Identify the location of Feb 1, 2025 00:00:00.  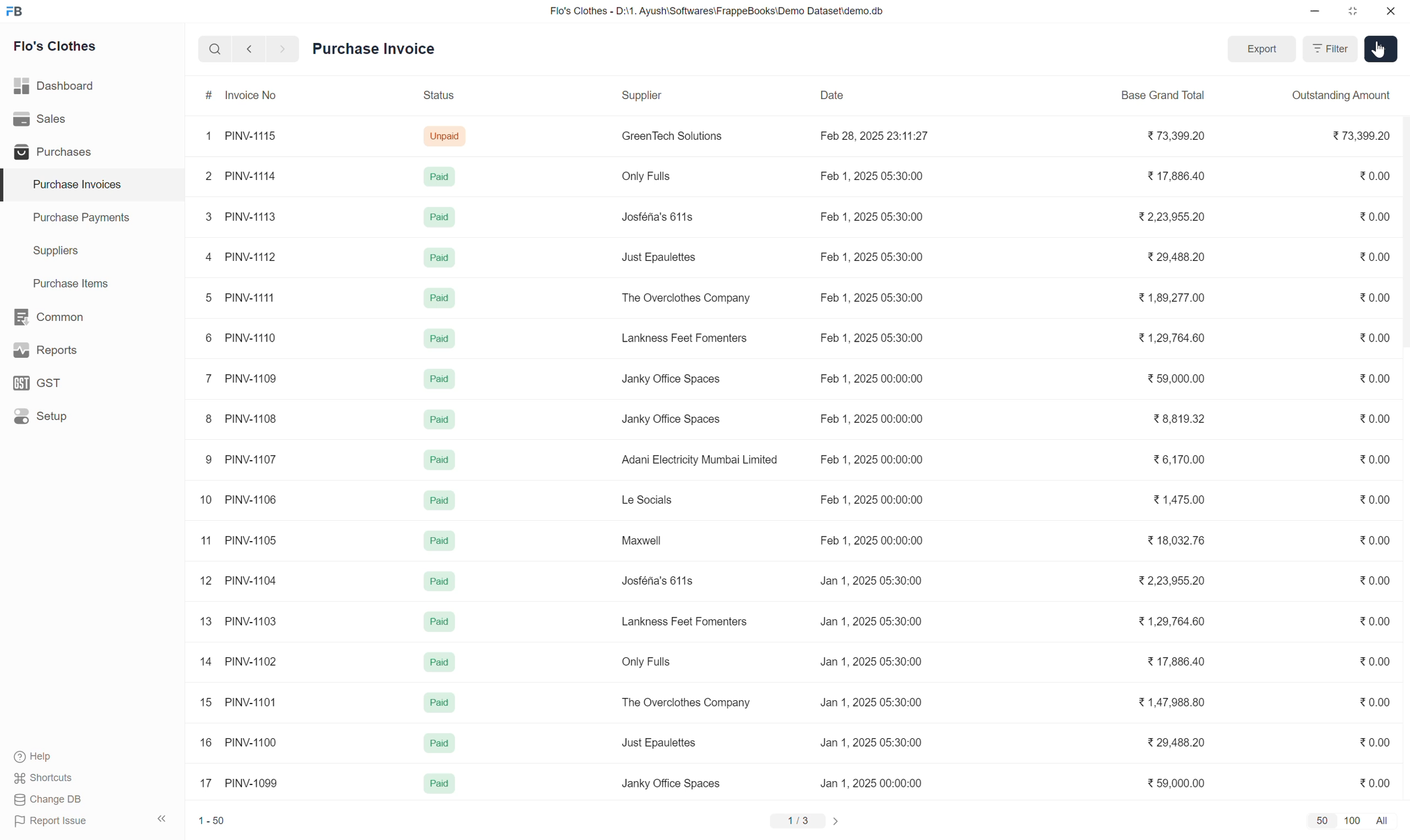
(876, 419).